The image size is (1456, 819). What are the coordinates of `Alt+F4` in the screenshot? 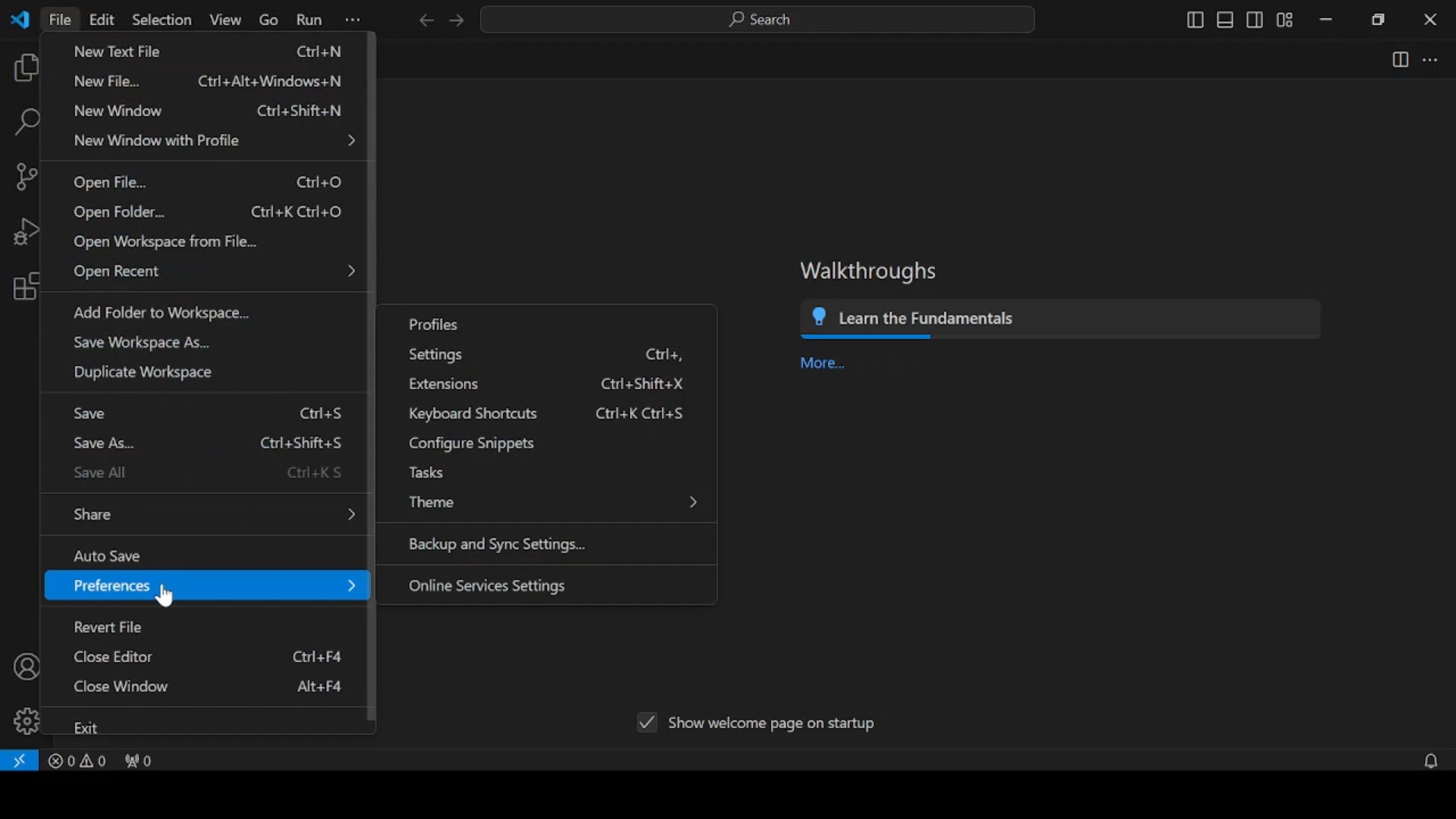 It's located at (318, 687).